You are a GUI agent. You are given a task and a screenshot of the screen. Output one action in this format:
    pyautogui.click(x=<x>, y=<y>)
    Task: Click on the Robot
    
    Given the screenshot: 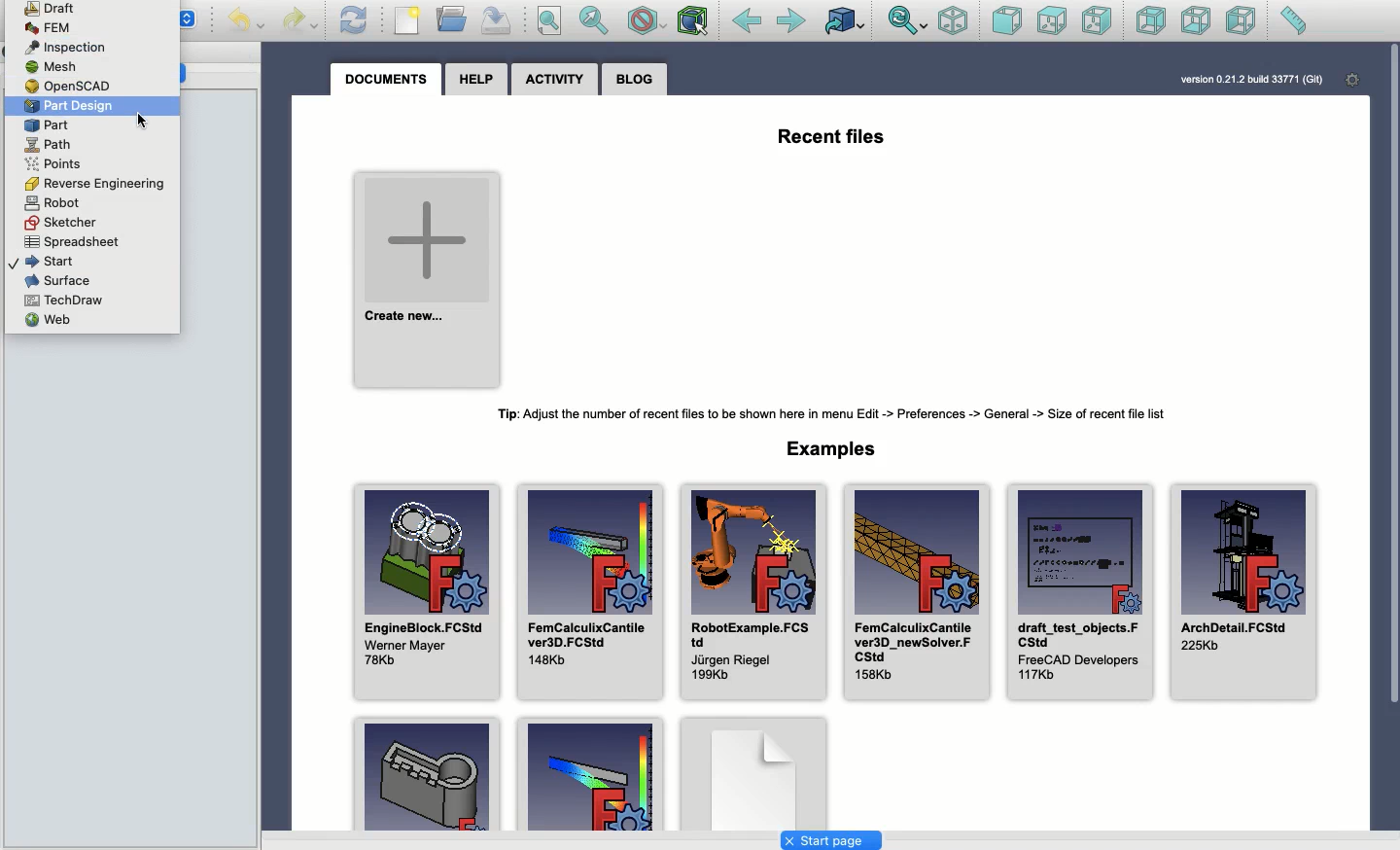 What is the action you would take?
    pyautogui.click(x=53, y=201)
    